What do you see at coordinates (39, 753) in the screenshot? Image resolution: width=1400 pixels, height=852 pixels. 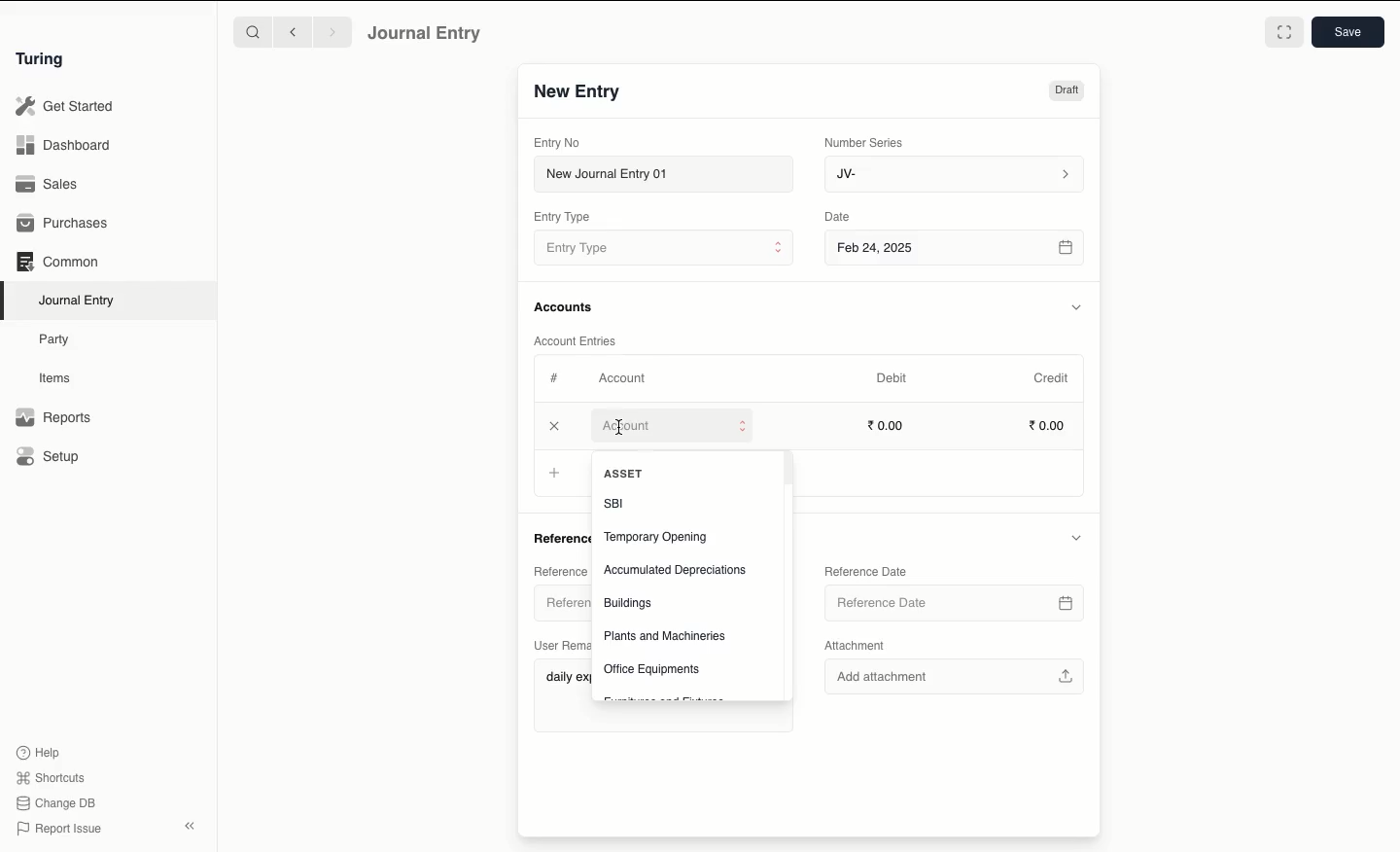 I see `Help` at bounding box center [39, 753].